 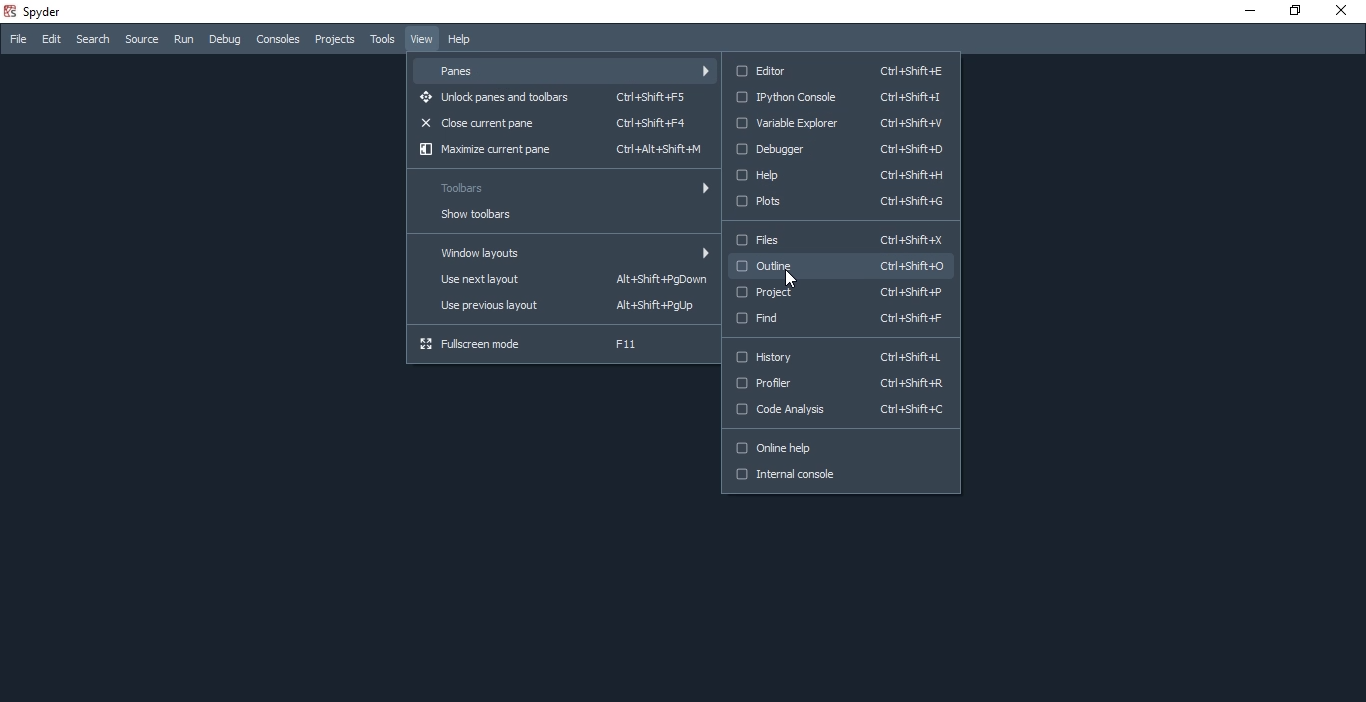 What do you see at coordinates (381, 38) in the screenshot?
I see `Tools` at bounding box center [381, 38].